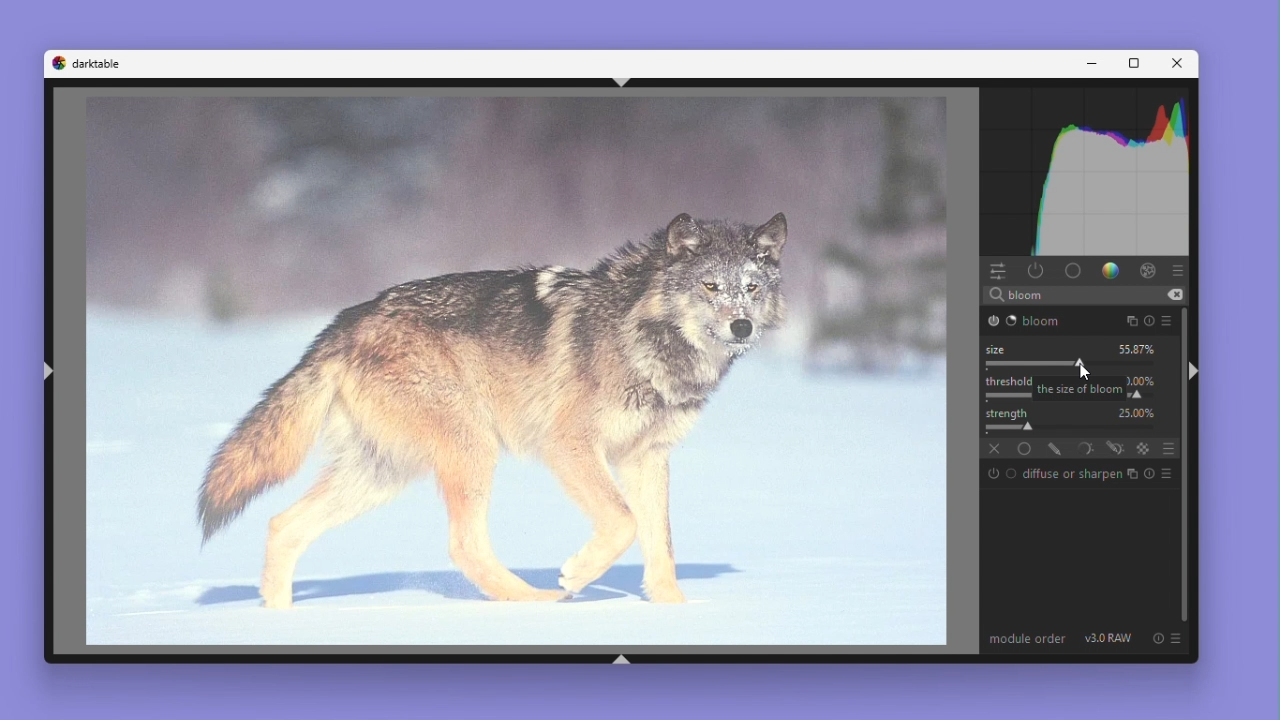 This screenshot has height=720, width=1280. Describe the element at coordinates (998, 271) in the screenshot. I see `Quick access` at that location.